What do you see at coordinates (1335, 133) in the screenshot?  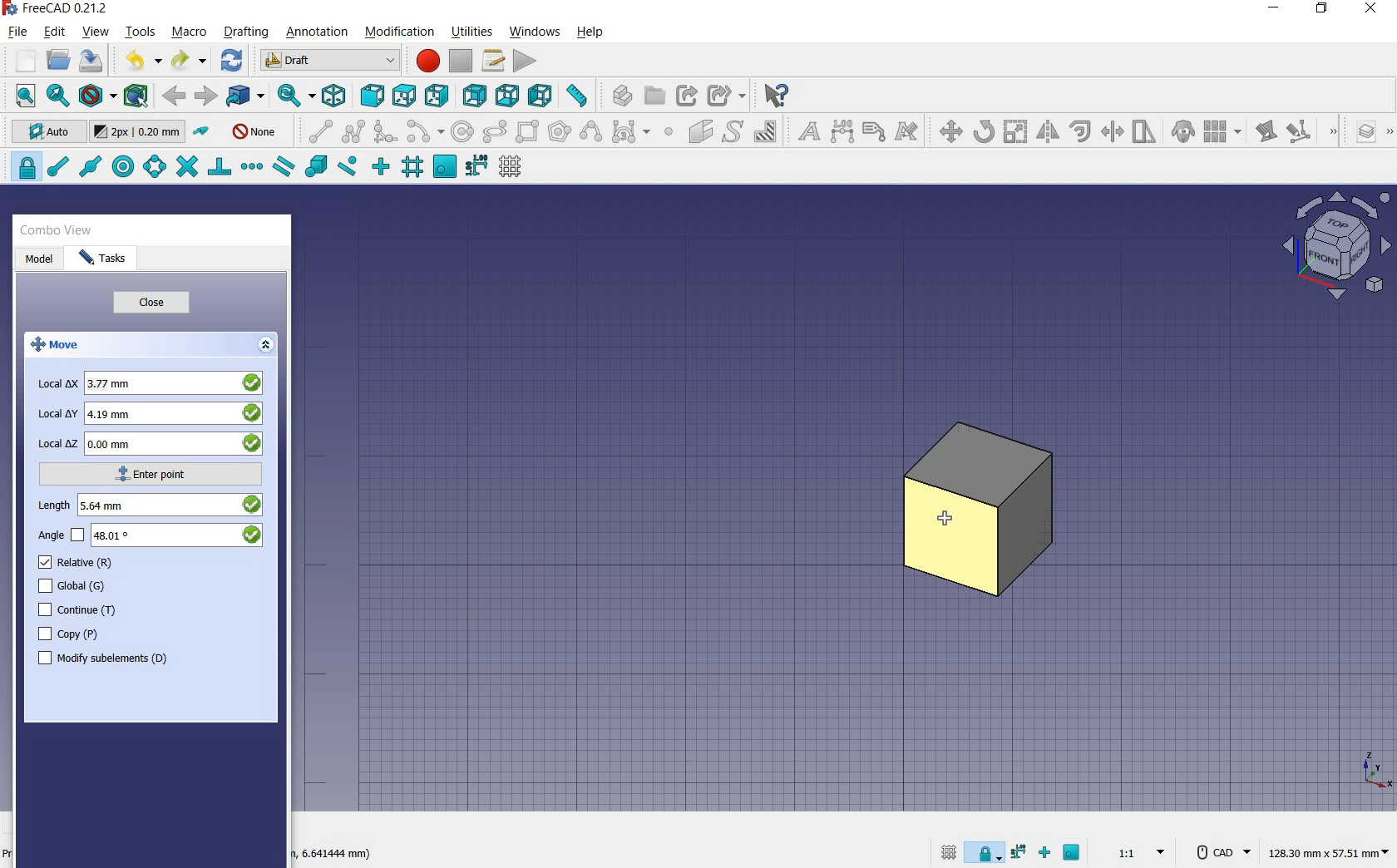 I see `draft modification tools` at bounding box center [1335, 133].